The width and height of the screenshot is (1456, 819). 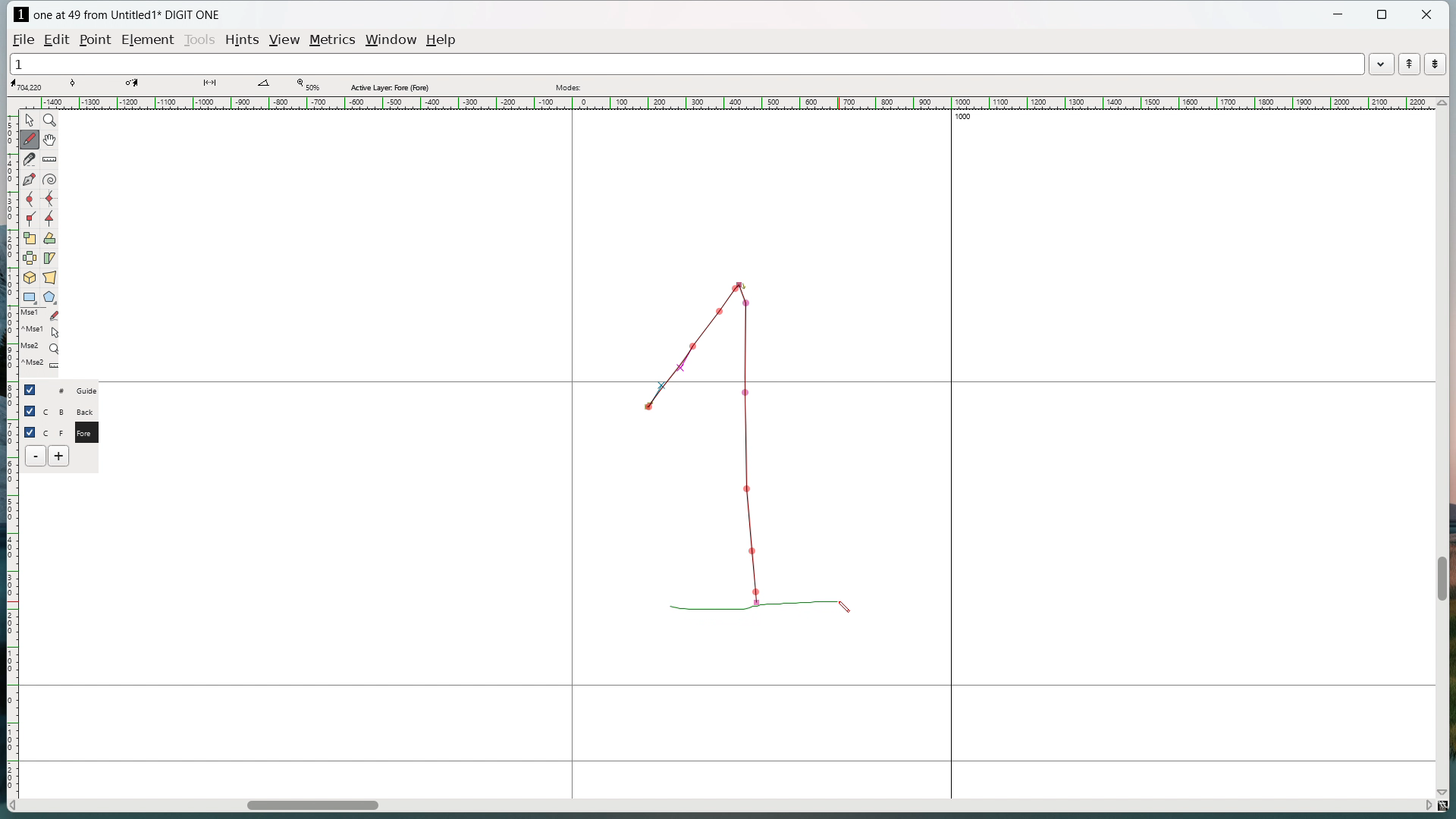 What do you see at coordinates (312, 808) in the screenshot?
I see `horizontal scrollbar` at bounding box center [312, 808].